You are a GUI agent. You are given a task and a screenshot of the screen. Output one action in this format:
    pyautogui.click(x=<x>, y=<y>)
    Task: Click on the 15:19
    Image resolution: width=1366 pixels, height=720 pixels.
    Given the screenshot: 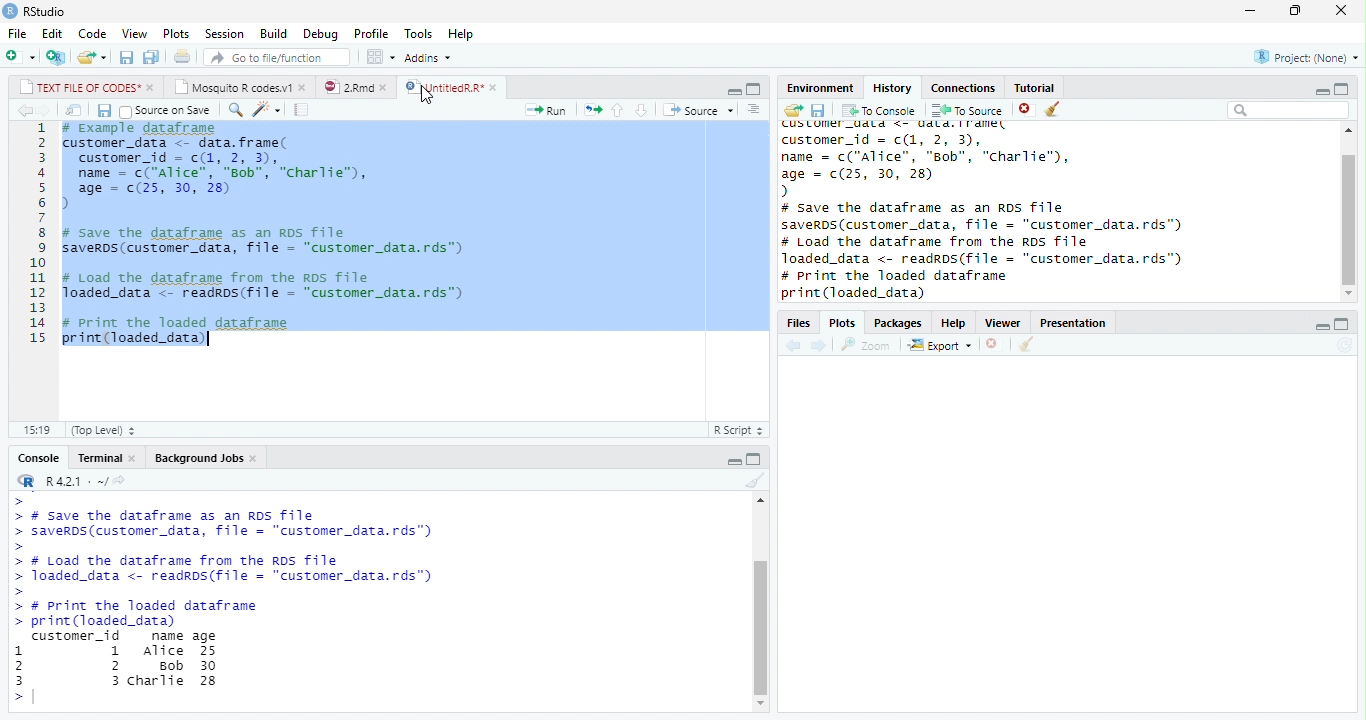 What is the action you would take?
    pyautogui.click(x=39, y=430)
    